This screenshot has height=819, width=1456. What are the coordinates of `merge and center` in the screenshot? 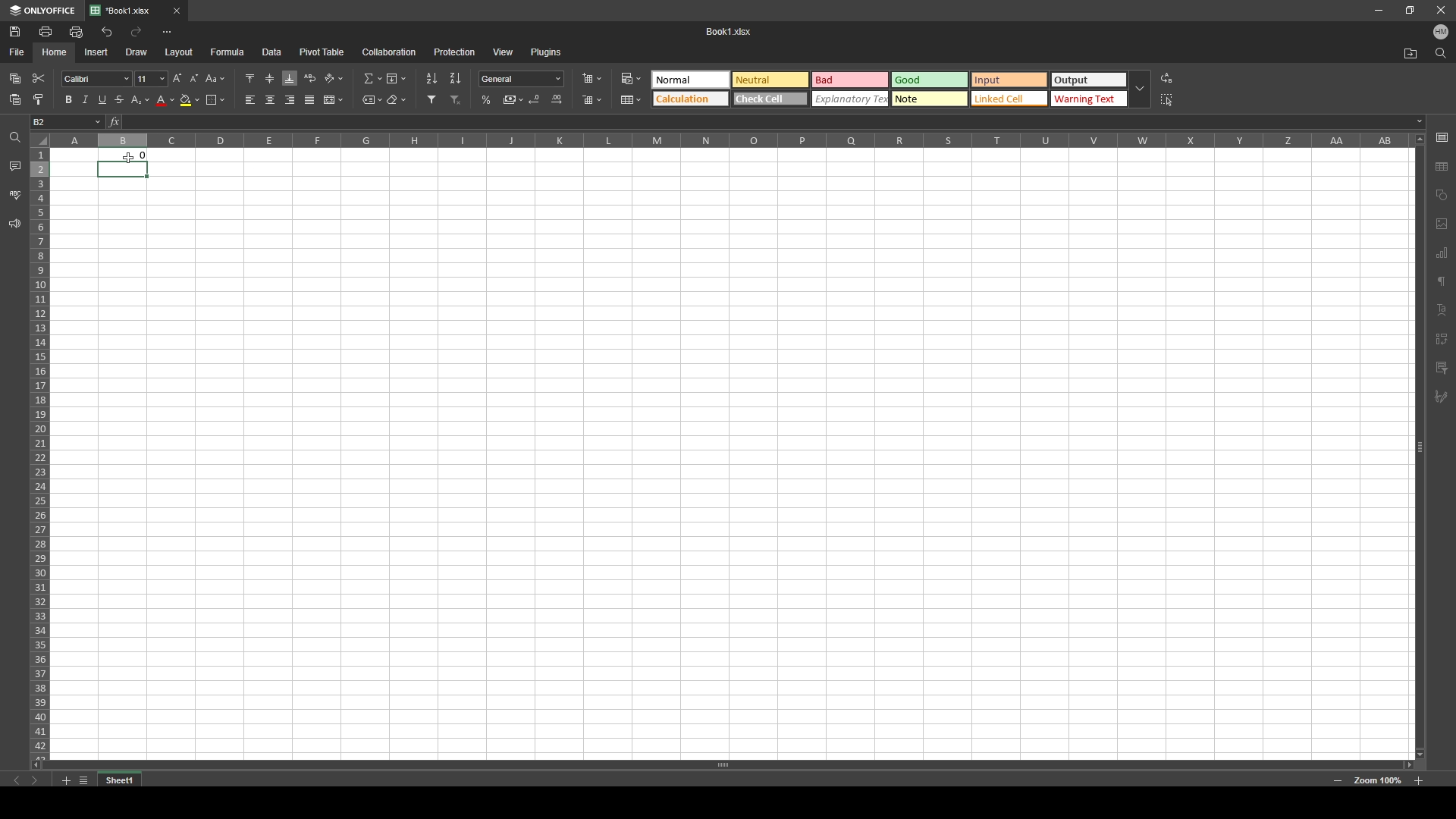 It's located at (333, 99).